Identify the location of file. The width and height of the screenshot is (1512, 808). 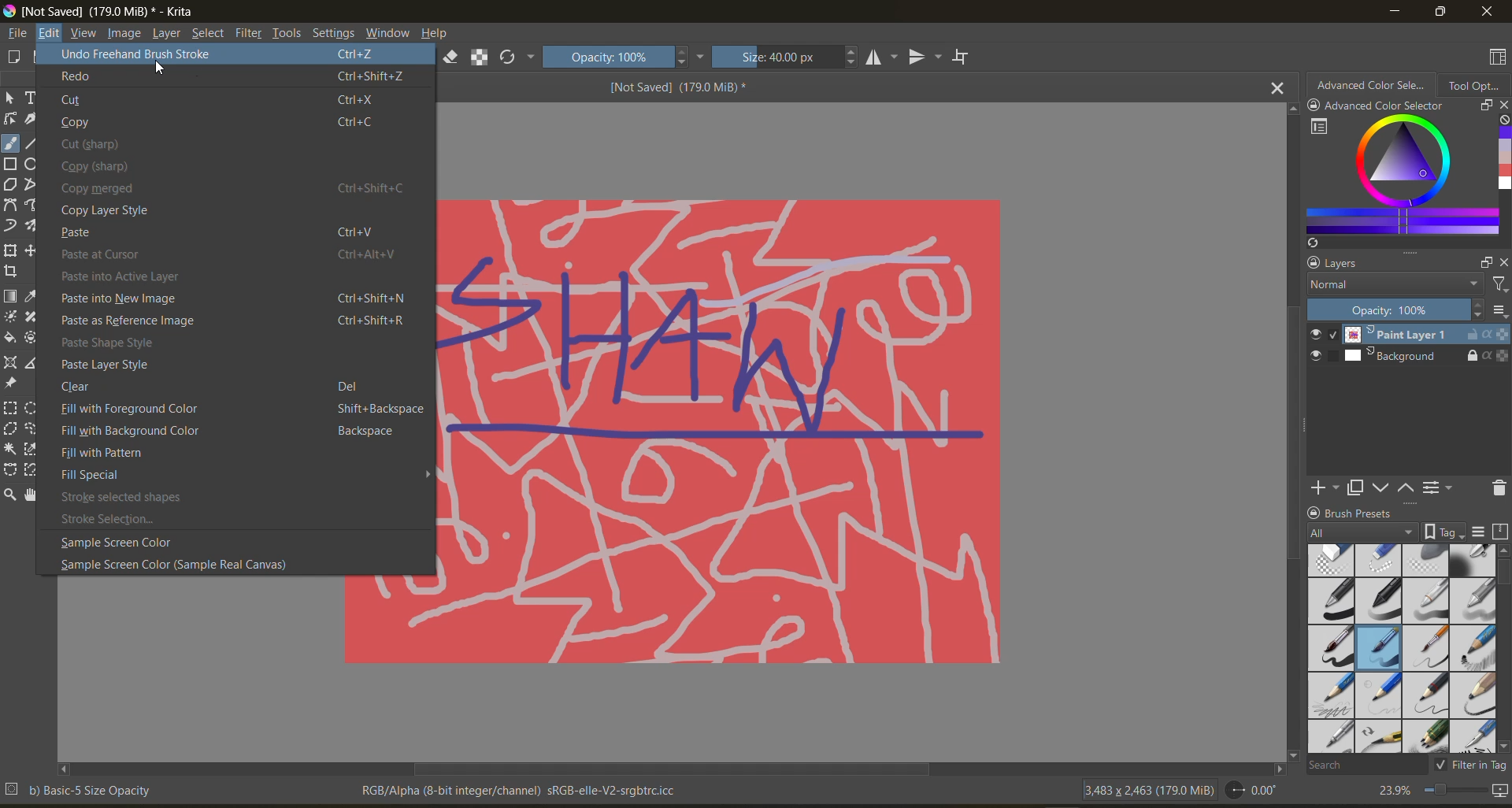
(17, 34).